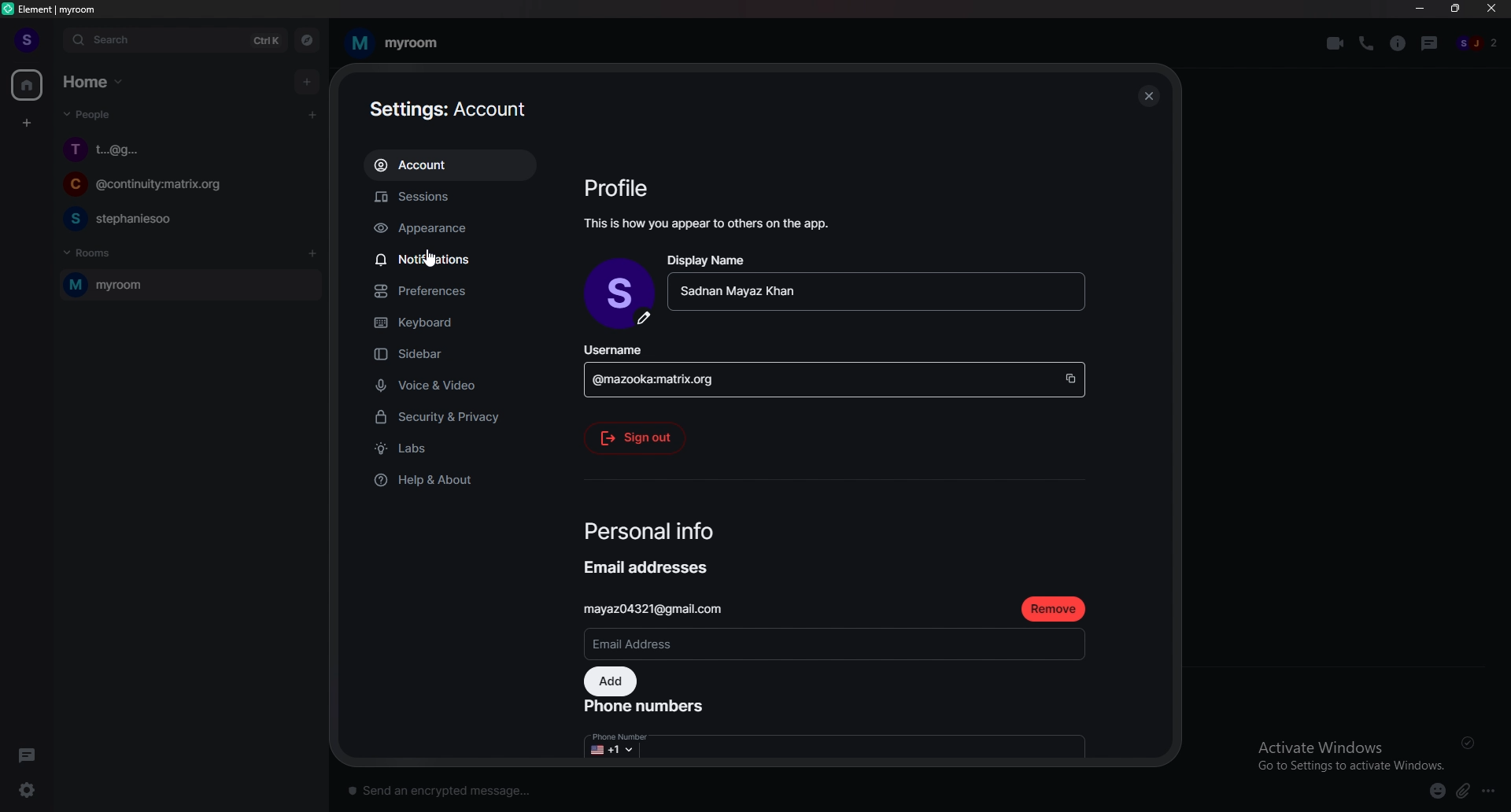 The image size is (1511, 812). I want to click on emoji, so click(1438, 792).